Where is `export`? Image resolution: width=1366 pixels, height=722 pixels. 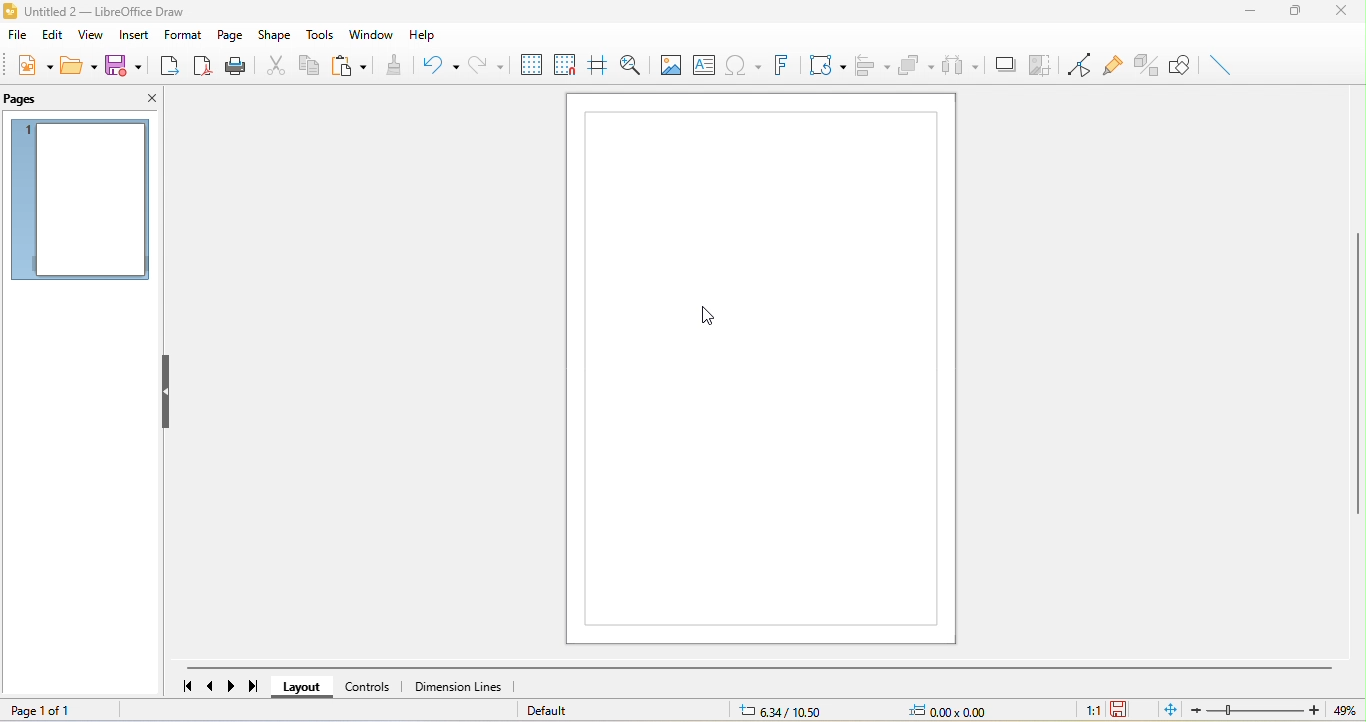 export is located at coordinates (170, 65).